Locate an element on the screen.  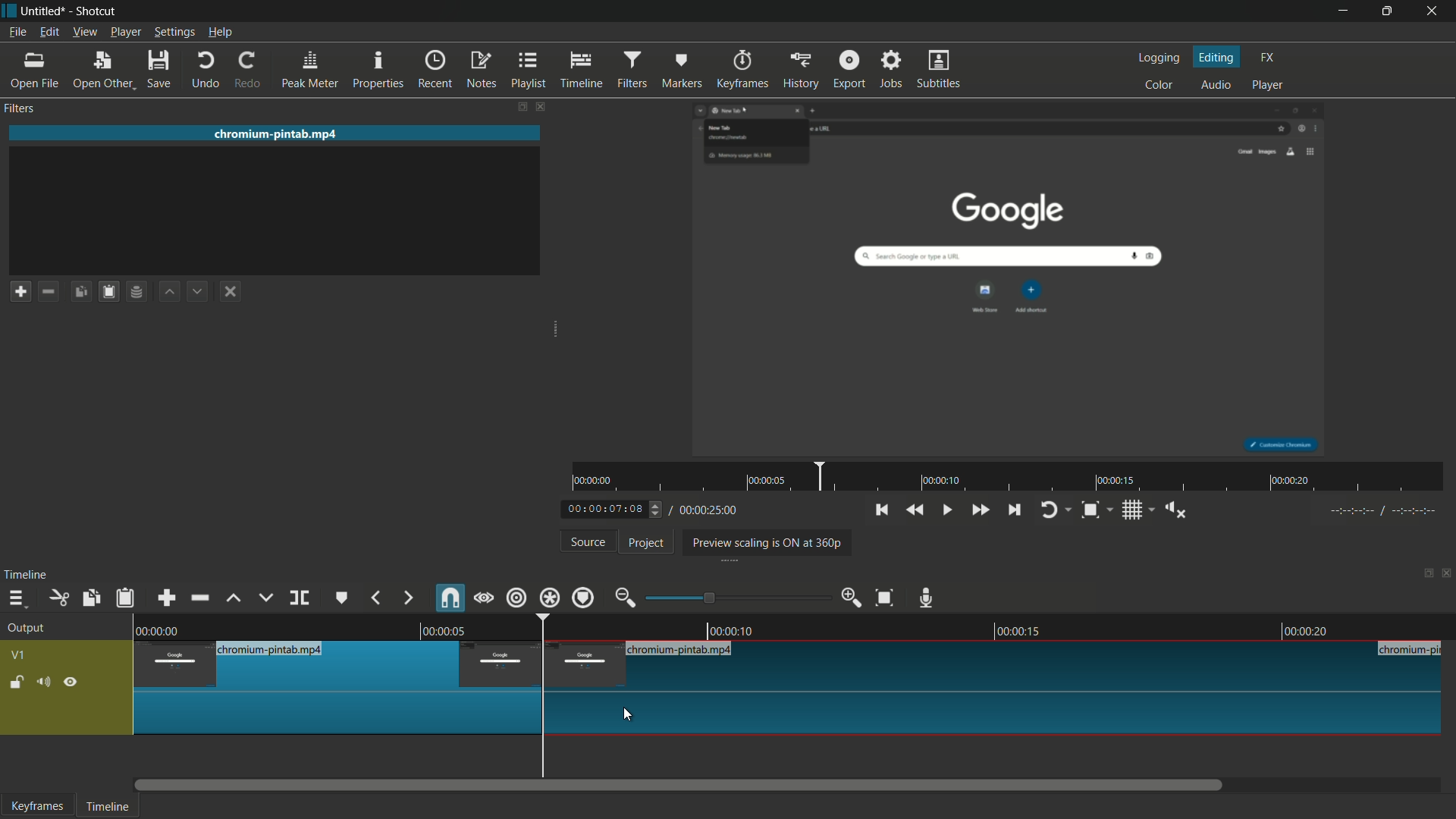
zoom out is located at coordinates (625, 599).